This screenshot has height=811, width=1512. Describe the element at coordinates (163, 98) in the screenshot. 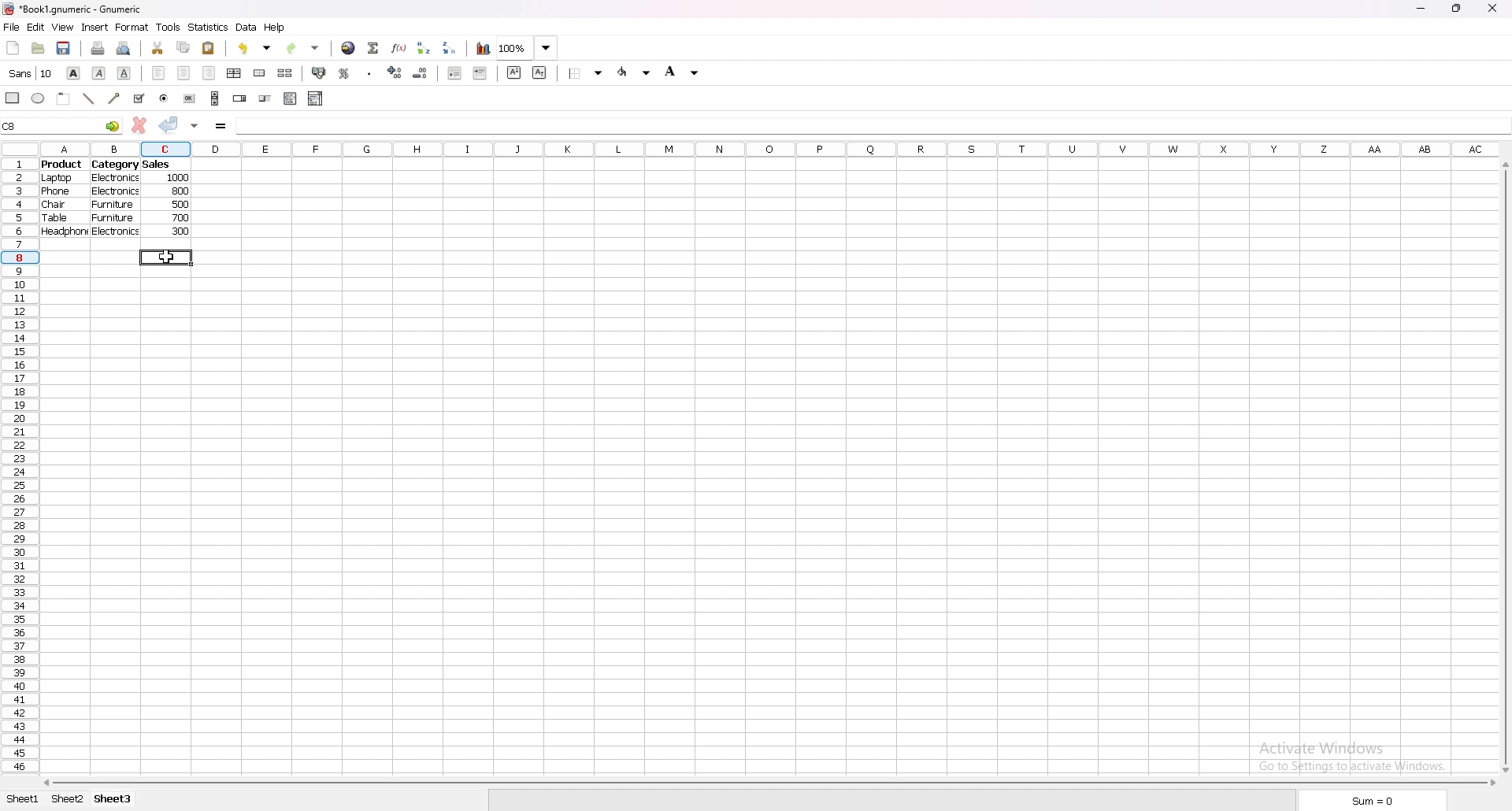

I see `radio button` at that location.